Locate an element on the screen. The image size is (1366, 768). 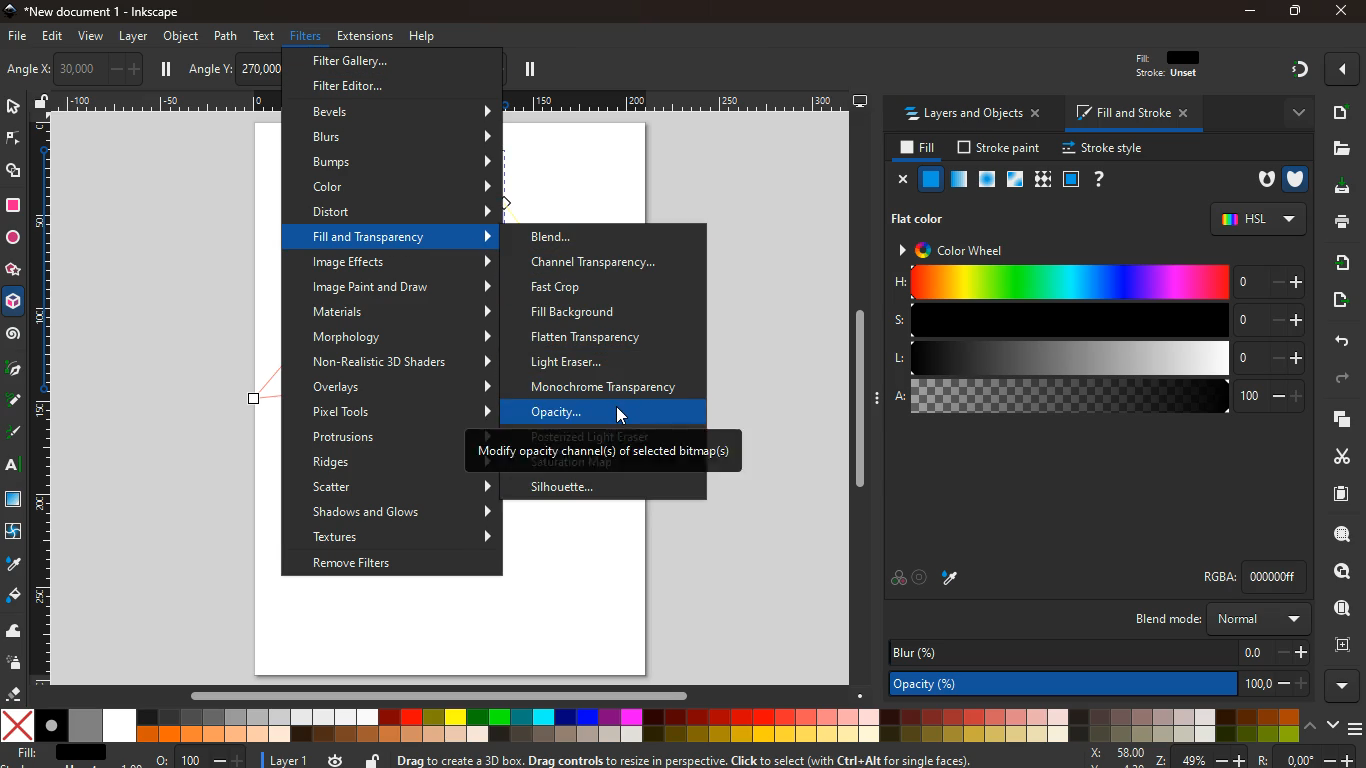
non-realistic 3d is located at coordinates (402, 361).